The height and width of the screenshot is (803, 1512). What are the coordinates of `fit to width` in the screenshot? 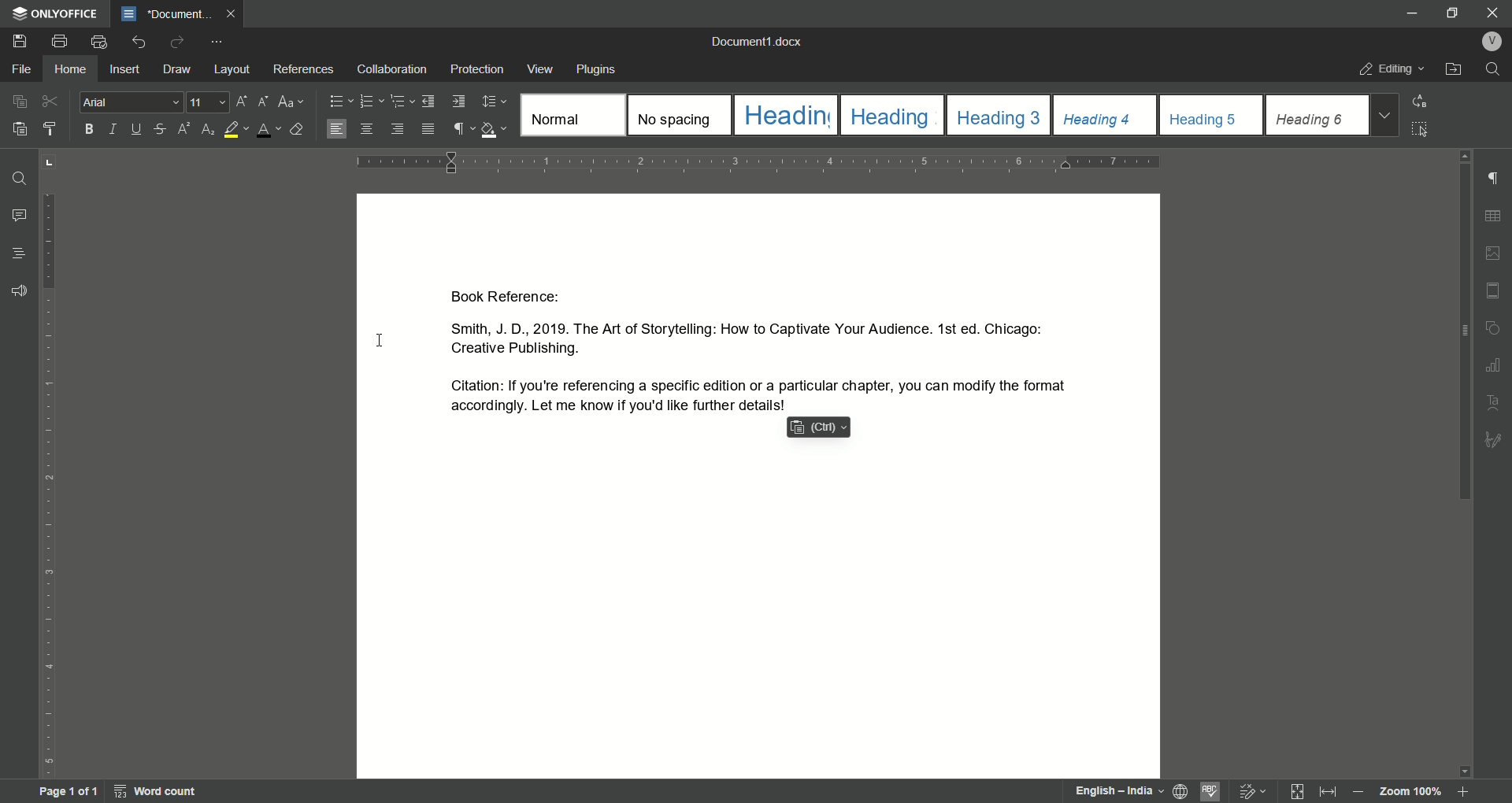 It's located at (1326, 792).